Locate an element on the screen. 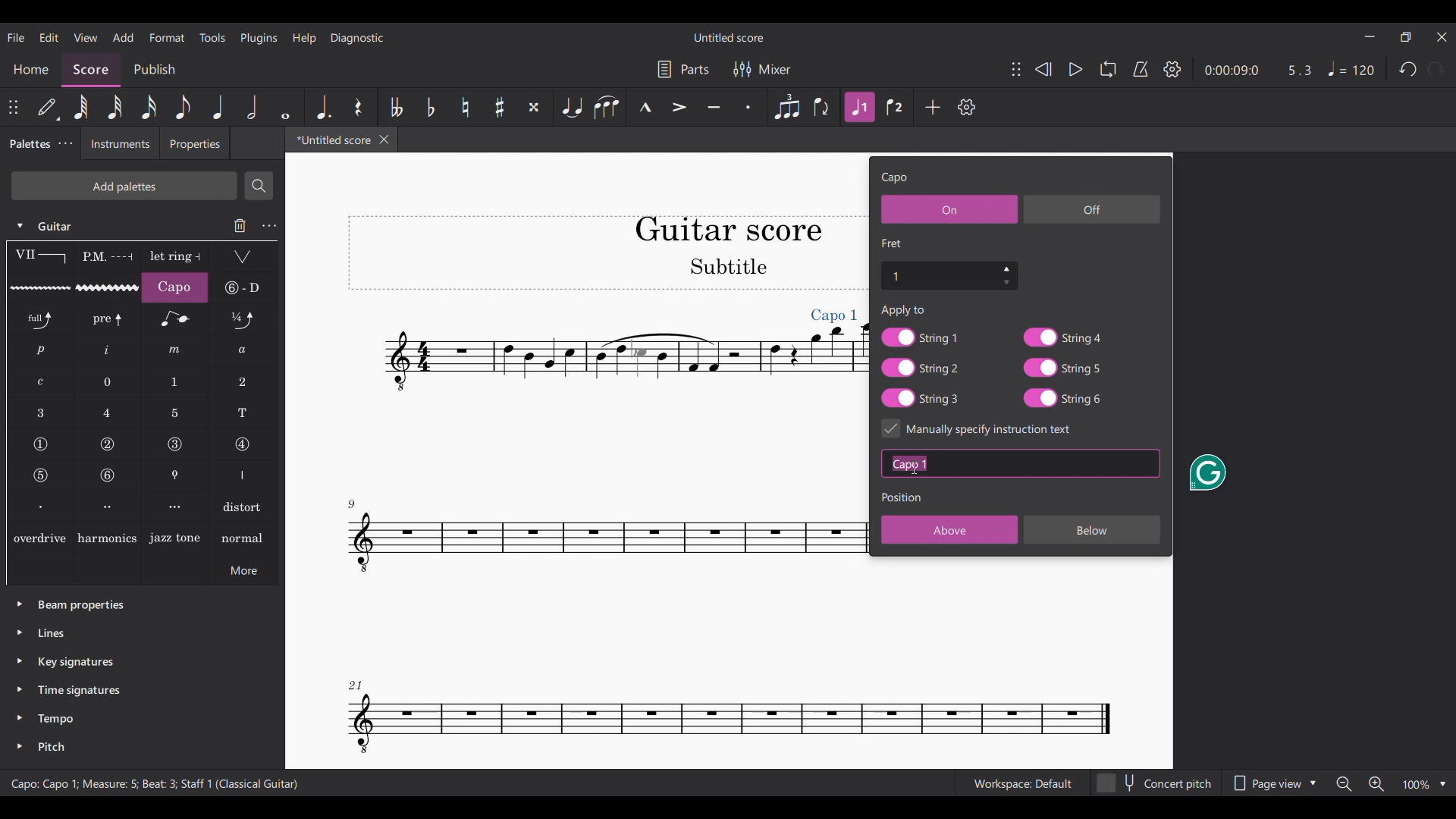 The image size is (1456, 819). Tie is located at coordinates (570, 107).